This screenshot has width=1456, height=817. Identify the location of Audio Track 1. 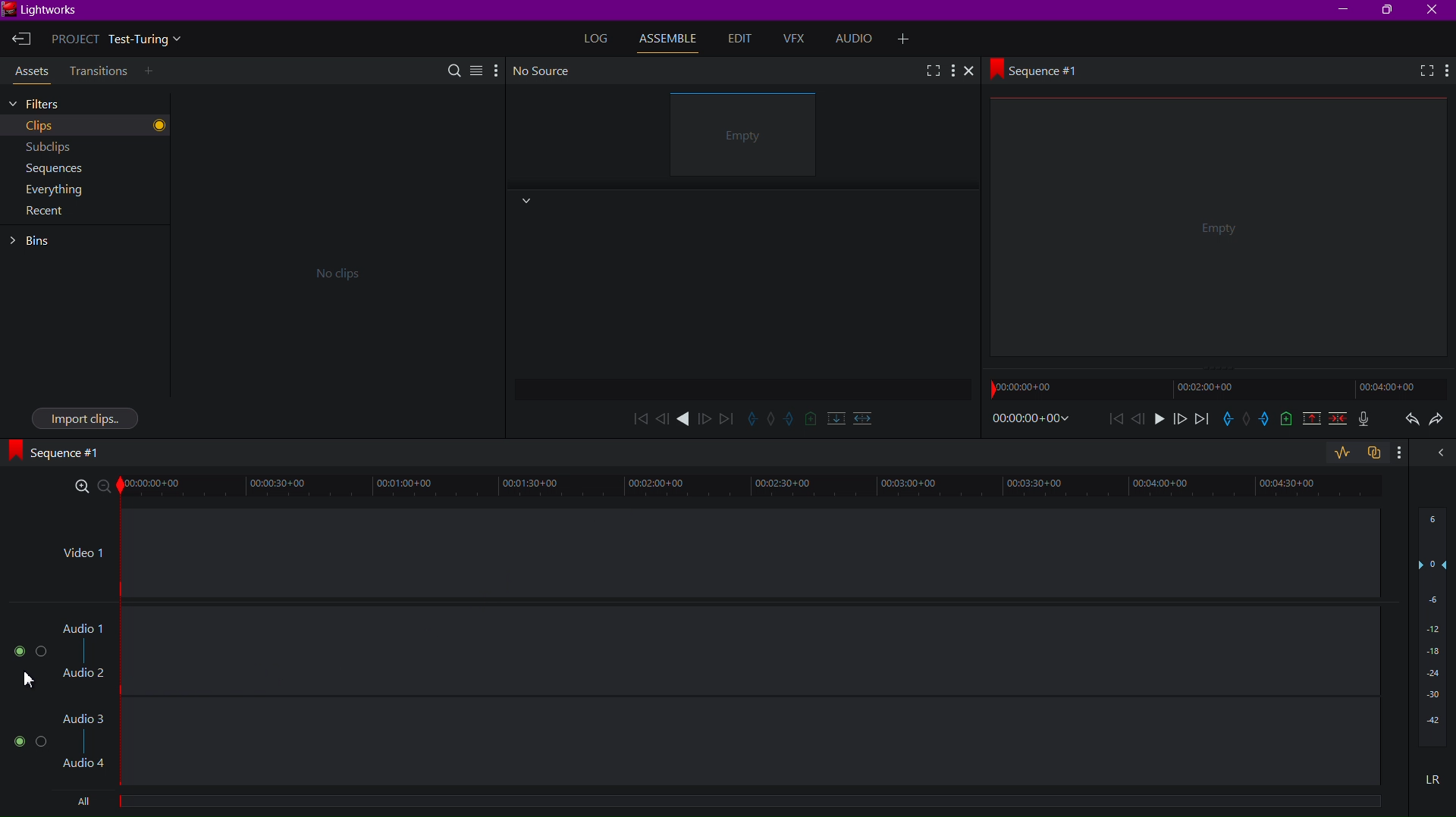
(752, 651).